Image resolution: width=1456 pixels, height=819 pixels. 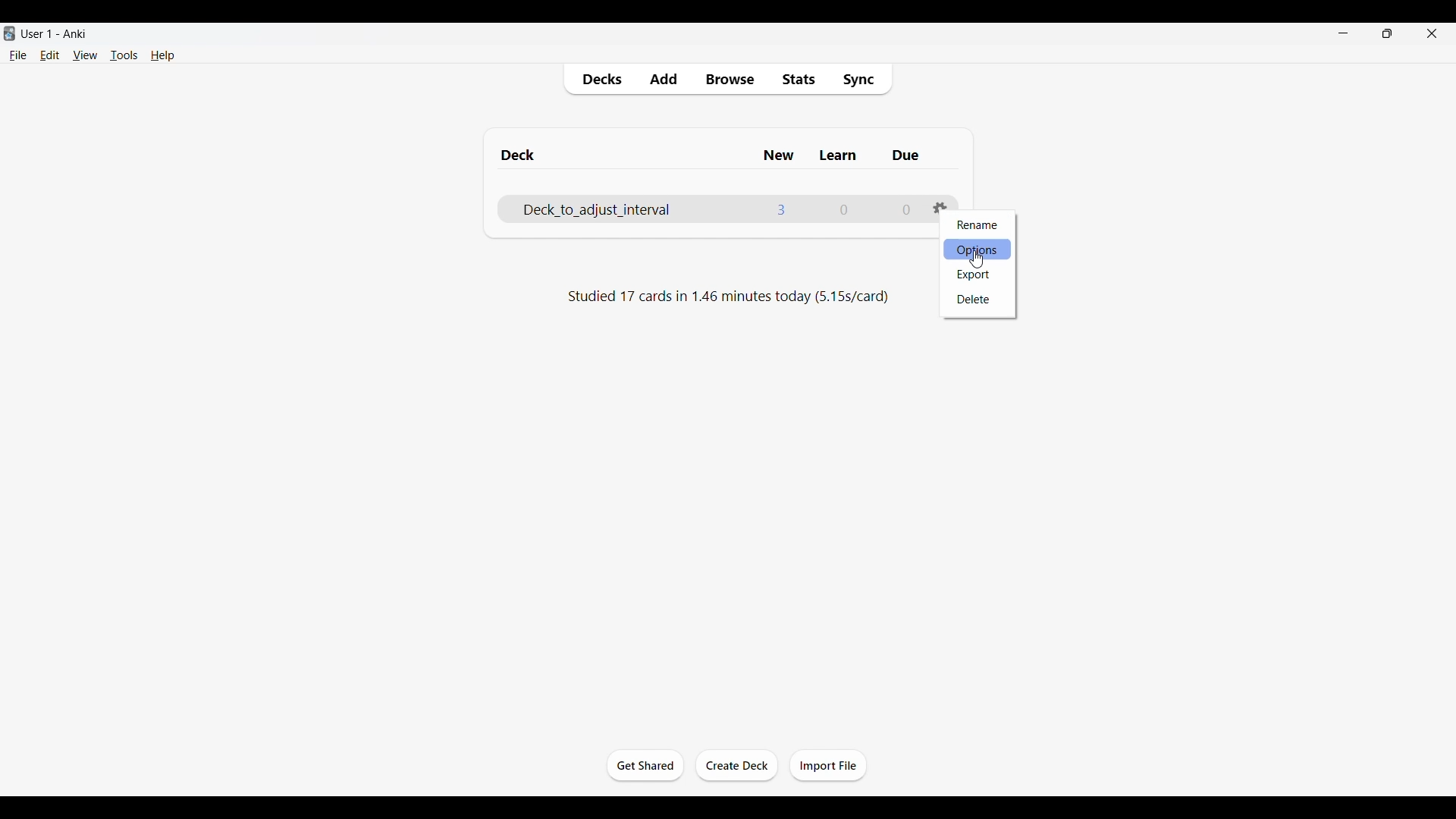 I want to click on File menu, so click(x=17, y=56).